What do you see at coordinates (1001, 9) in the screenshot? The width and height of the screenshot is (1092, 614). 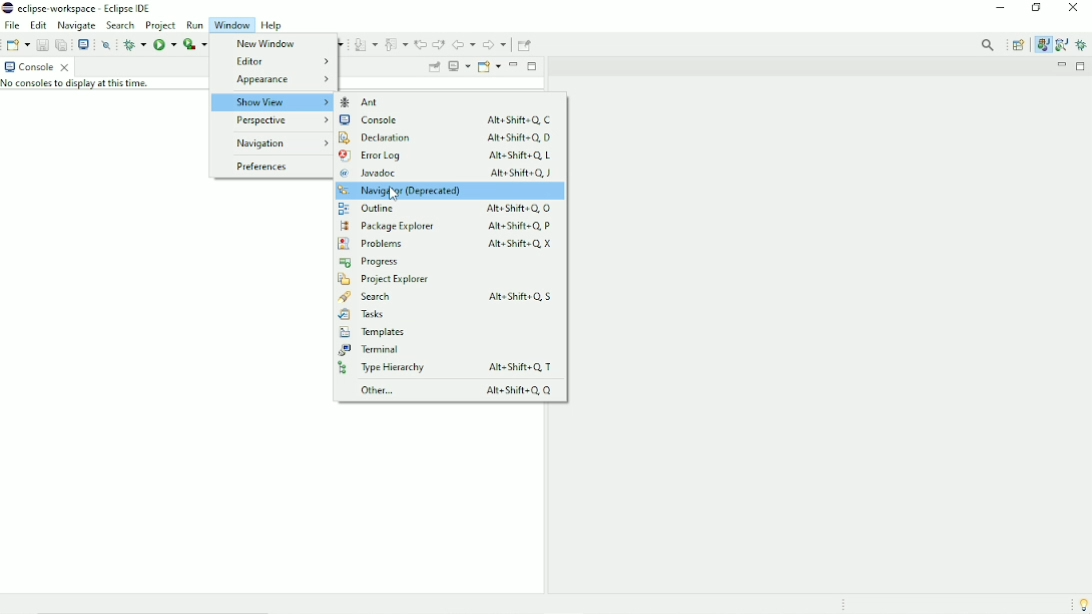 I see `Minimize` at bounding box center [1001, 9].